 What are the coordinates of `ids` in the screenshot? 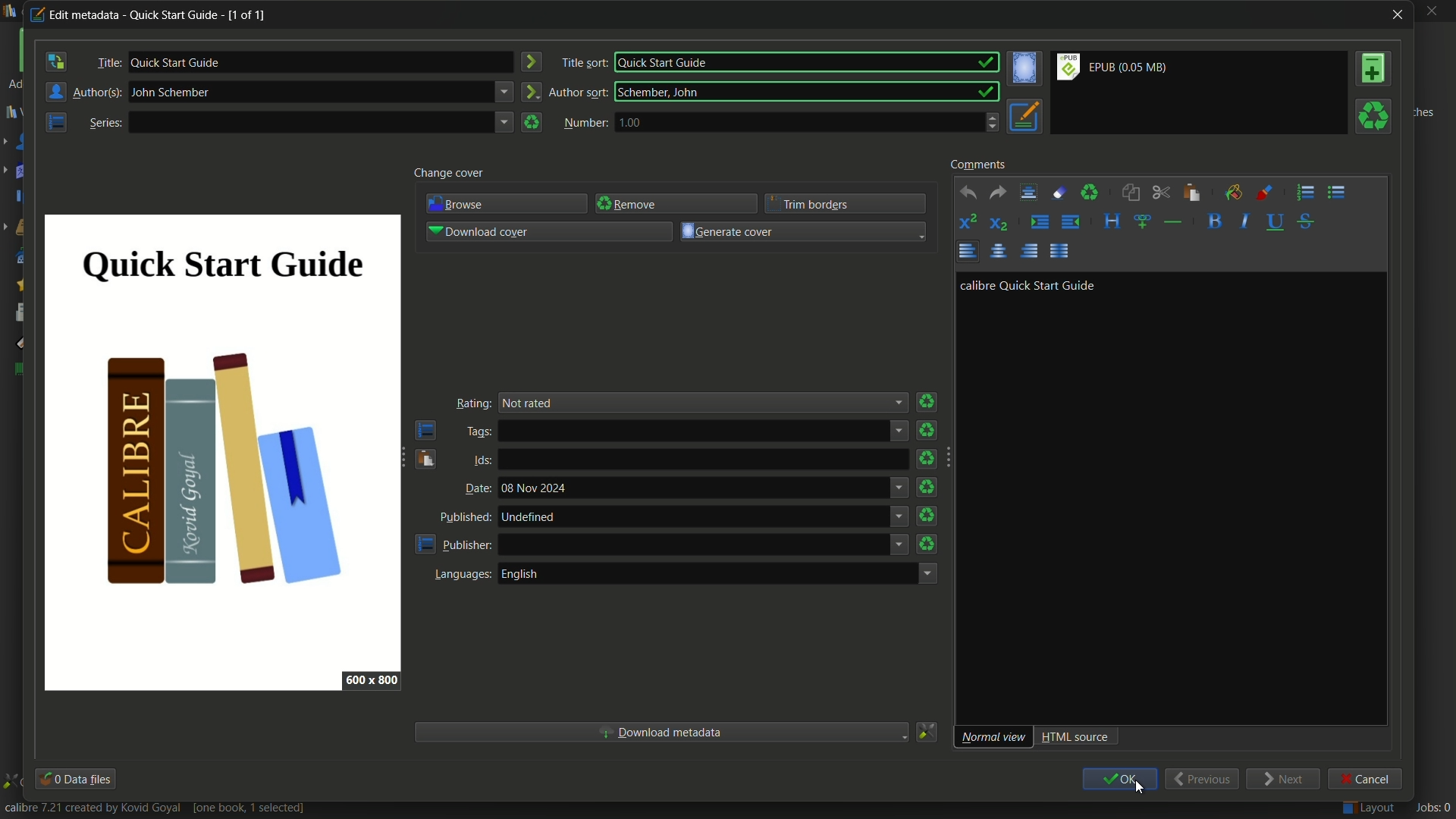 It's located at (482, 462).